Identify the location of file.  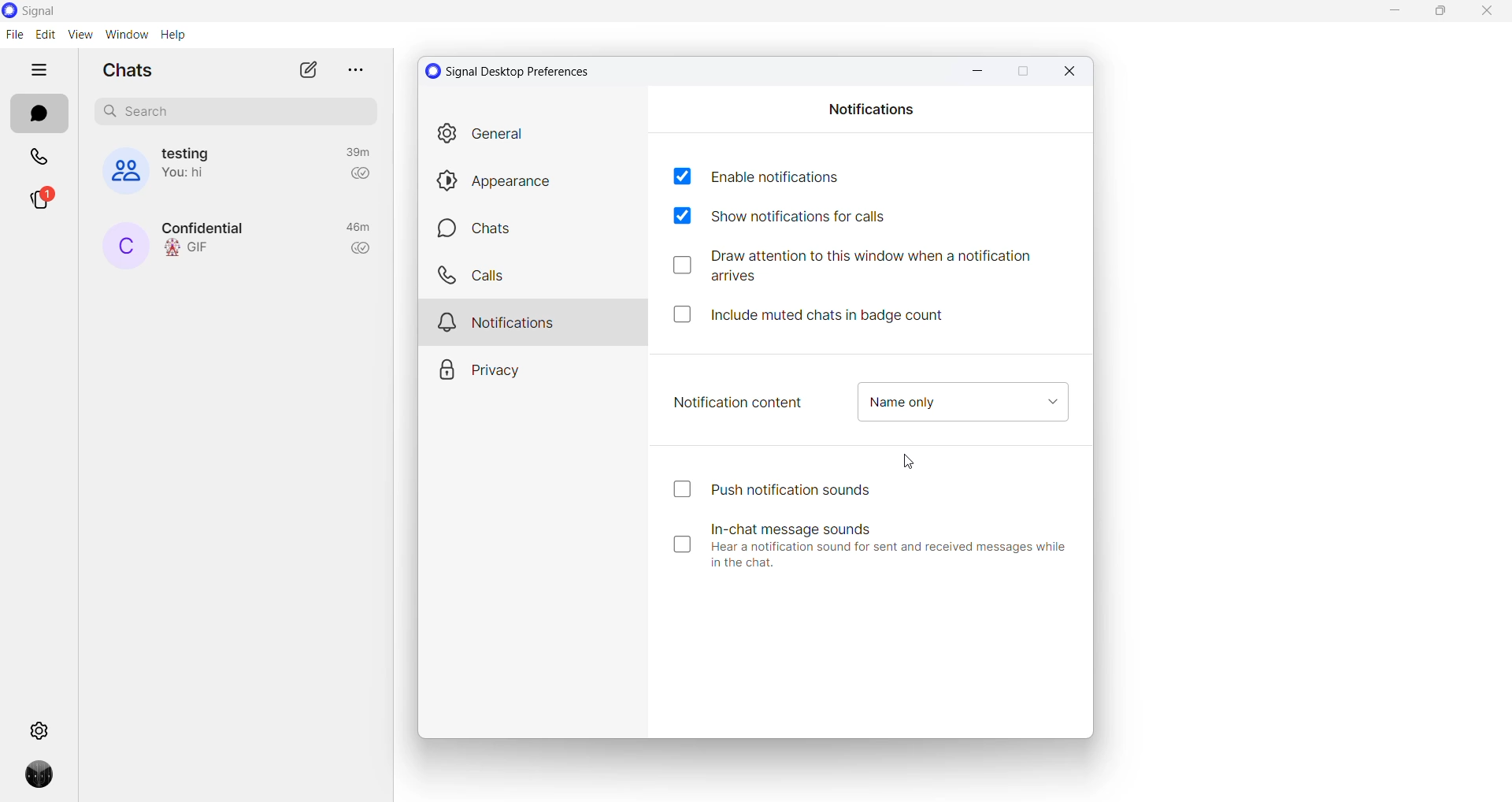
(14, 35).